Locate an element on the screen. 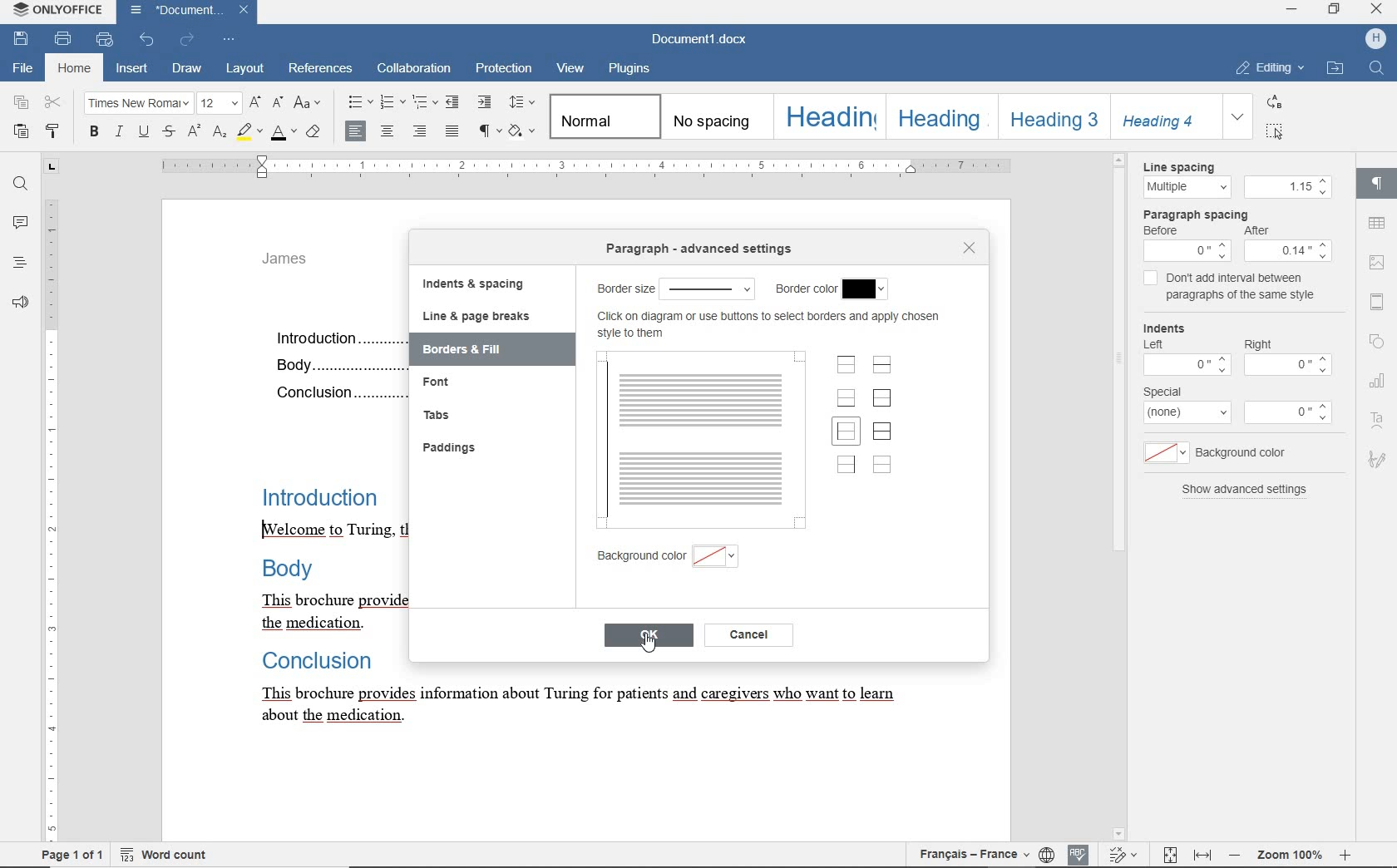 The height and width of the screenshot is (868, 1397). signature is located at coordinates (1379, 458).